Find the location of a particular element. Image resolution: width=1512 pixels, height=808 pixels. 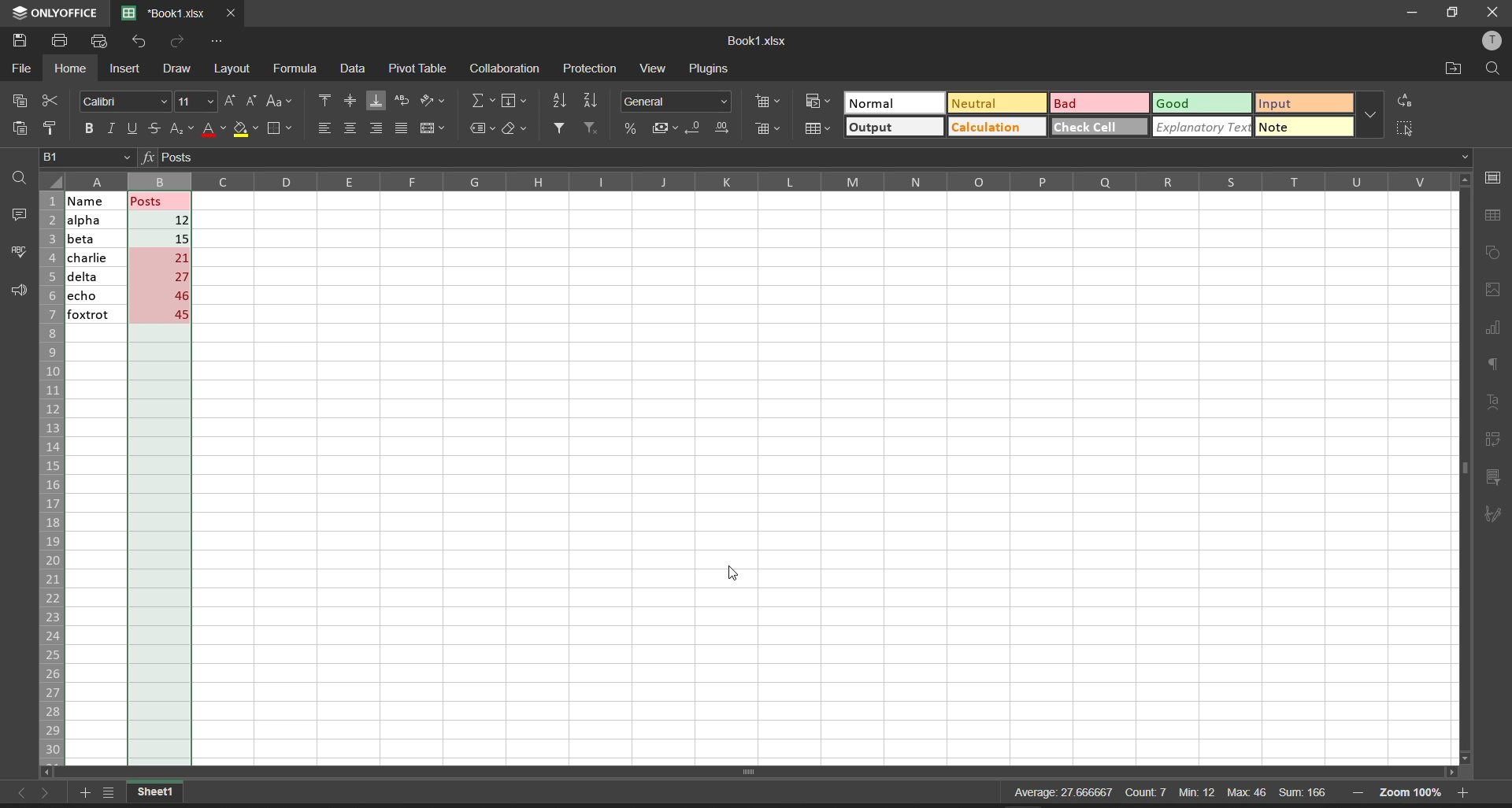

Calculation is located at coordinates (988, 128).